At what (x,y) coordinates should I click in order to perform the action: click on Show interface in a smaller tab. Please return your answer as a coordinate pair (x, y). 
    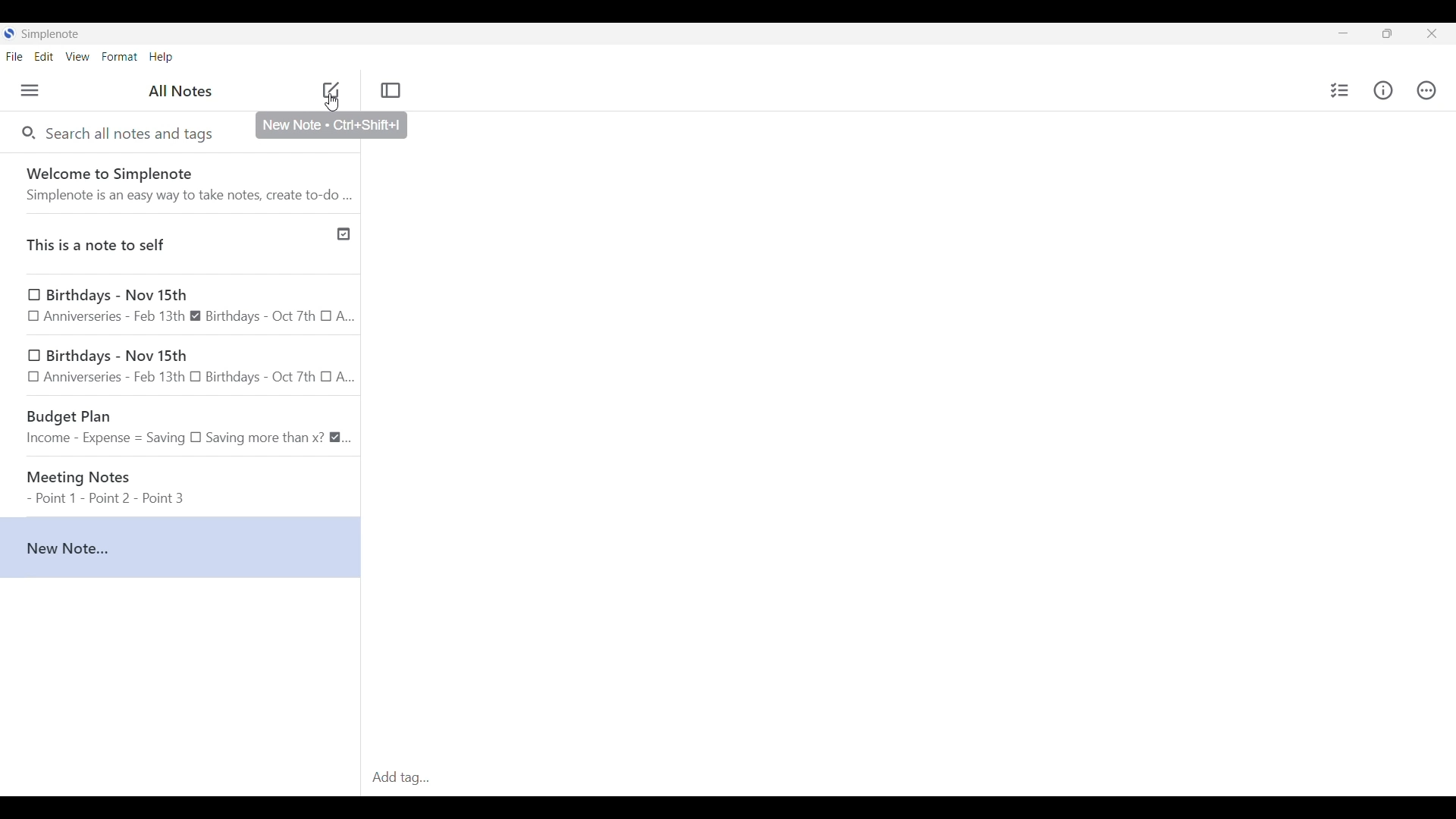
    Looking at the image, I should click on (1388, 33).